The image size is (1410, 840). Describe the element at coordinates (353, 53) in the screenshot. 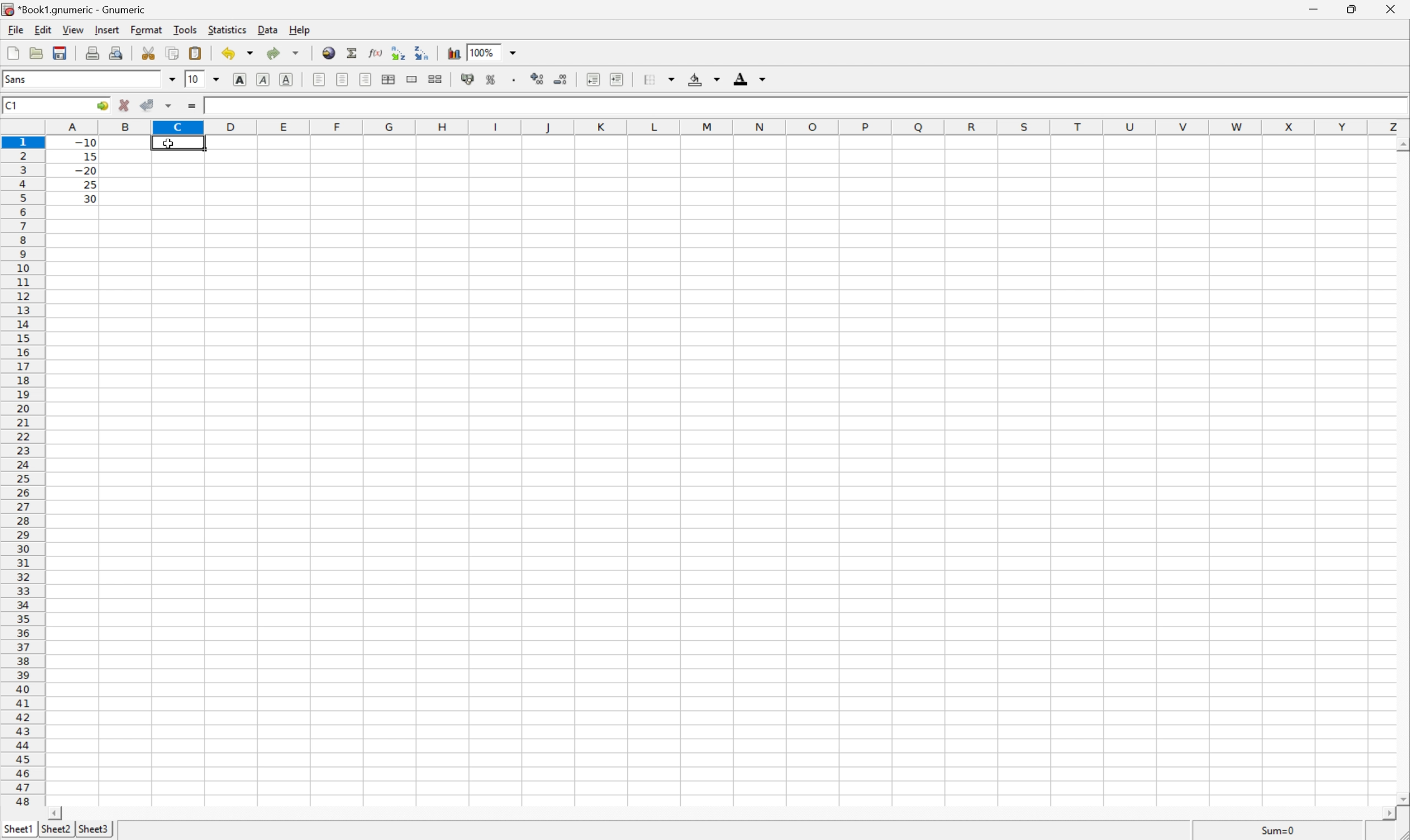

I see `Sum into the current cell` at that location.